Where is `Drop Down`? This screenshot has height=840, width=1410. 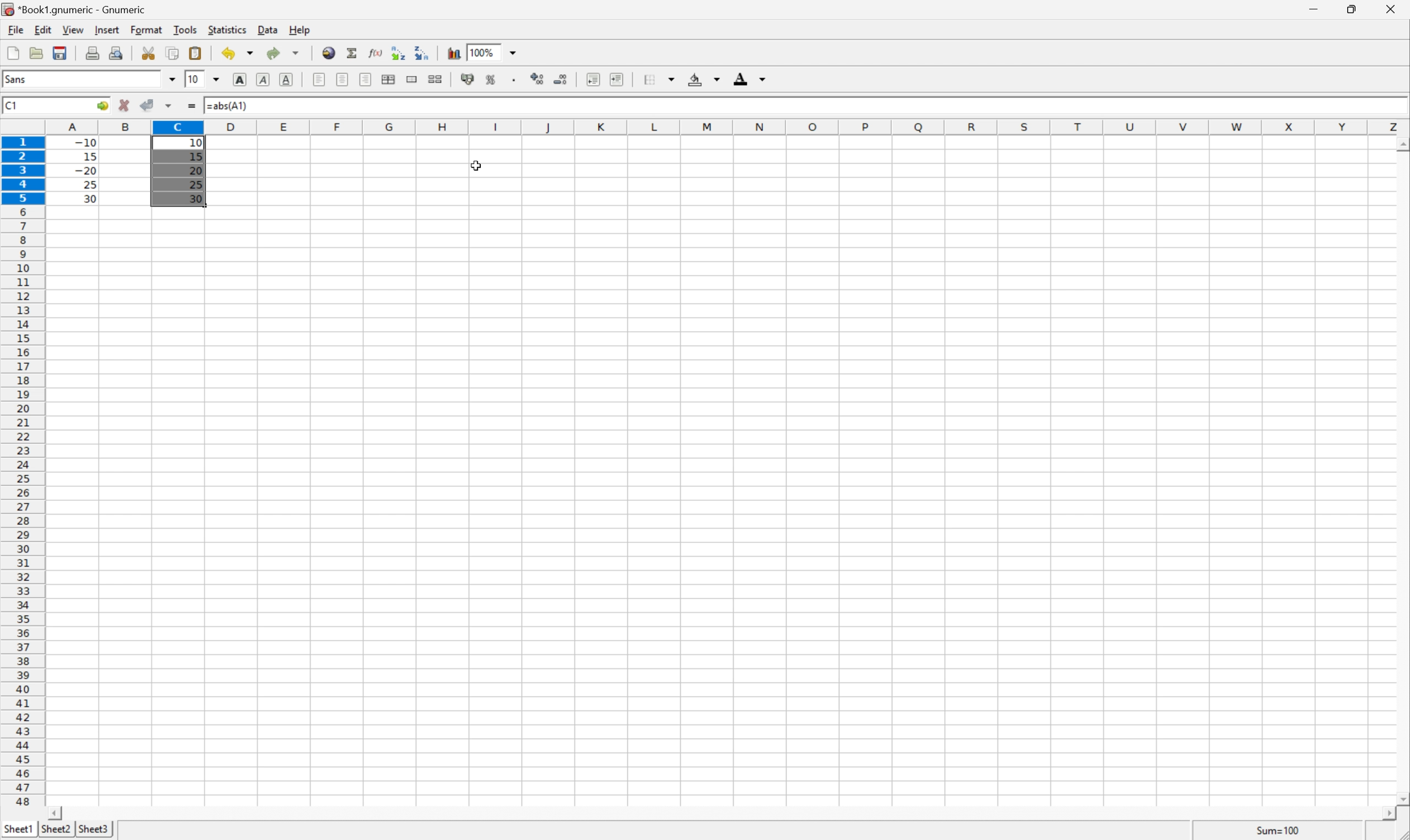 Drop Down is located at coordinates (171, 79).